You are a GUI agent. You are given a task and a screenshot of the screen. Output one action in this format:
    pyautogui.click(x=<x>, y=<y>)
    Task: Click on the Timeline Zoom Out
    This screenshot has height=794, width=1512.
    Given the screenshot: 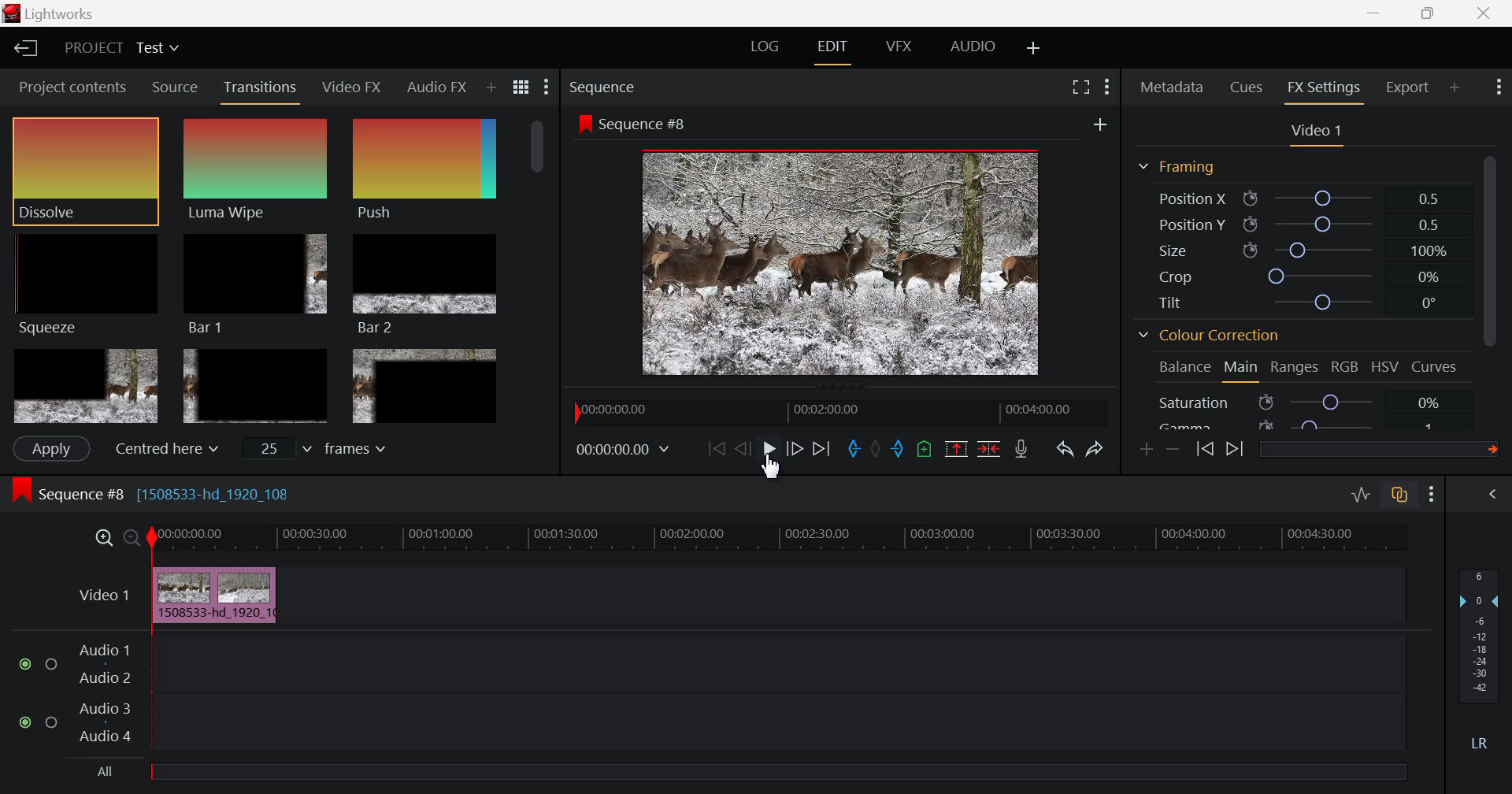 What is the action you would take?
    pyautogui.click(x=132, y=540)
    